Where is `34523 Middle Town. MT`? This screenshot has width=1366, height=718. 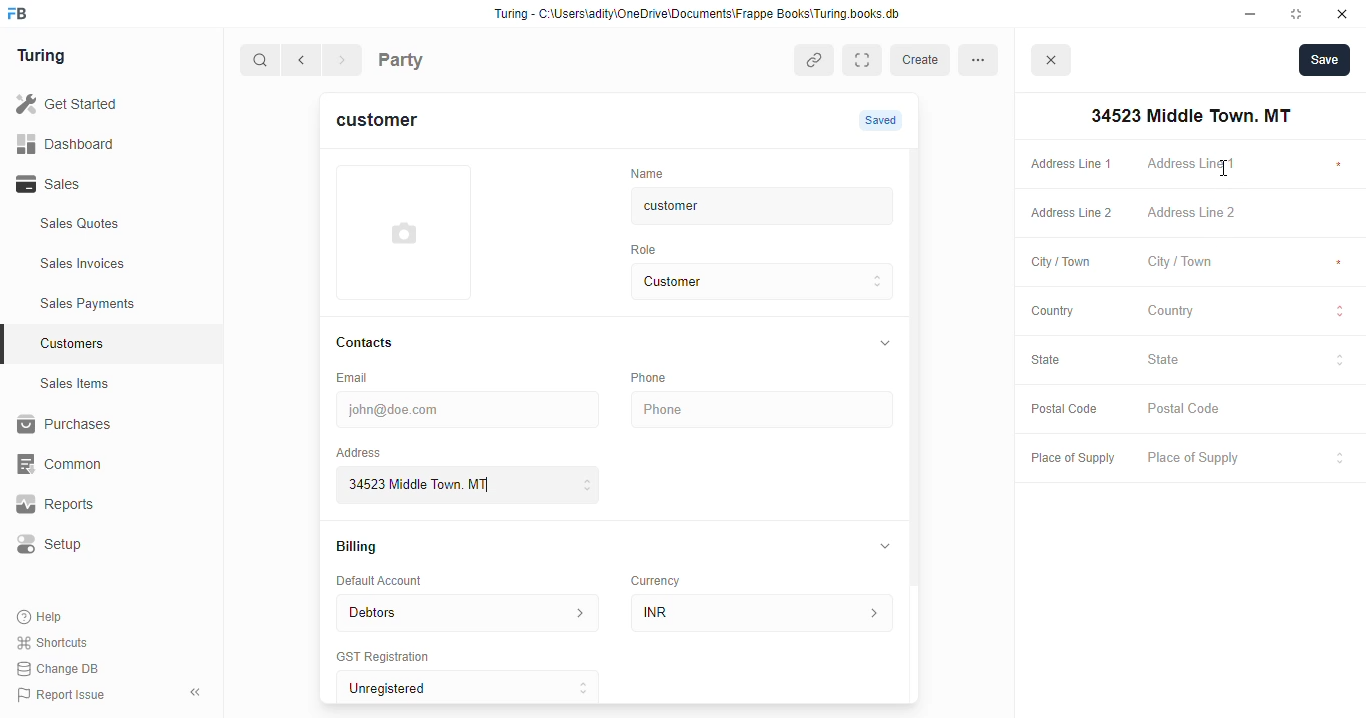
34523 Middle Town. MT is located at coordinates (471, 484).